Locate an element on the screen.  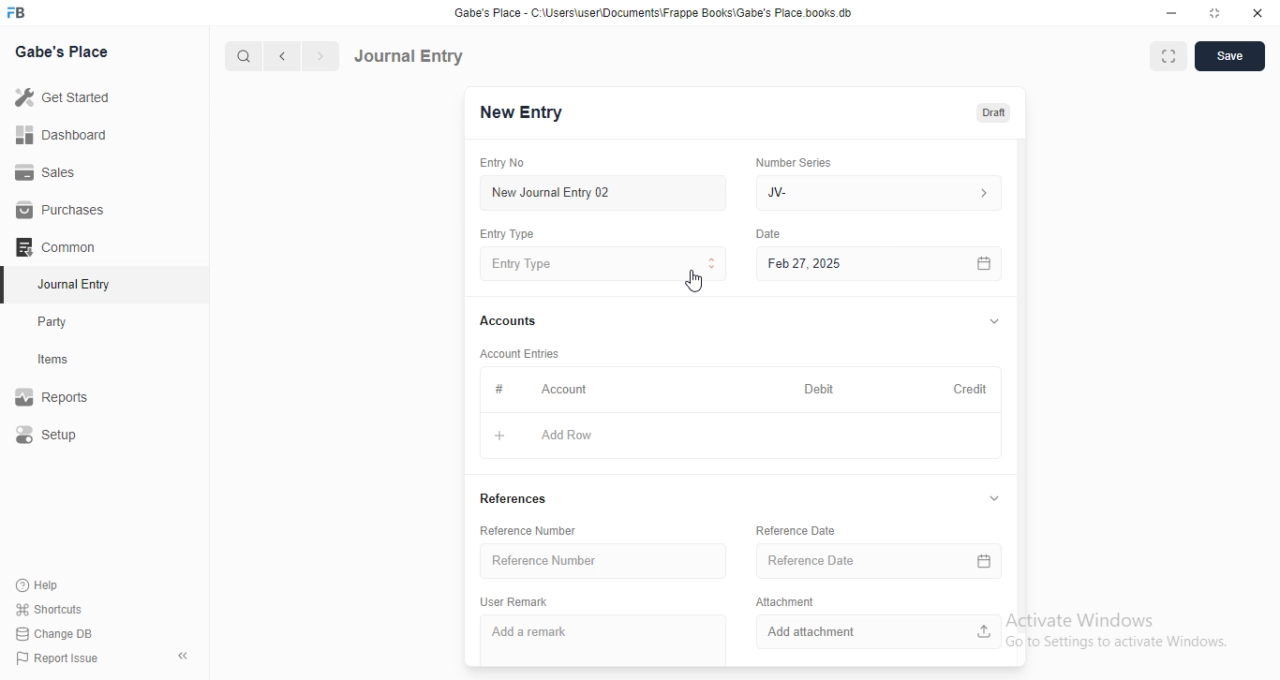
Help is located at coordinates (36, 585).